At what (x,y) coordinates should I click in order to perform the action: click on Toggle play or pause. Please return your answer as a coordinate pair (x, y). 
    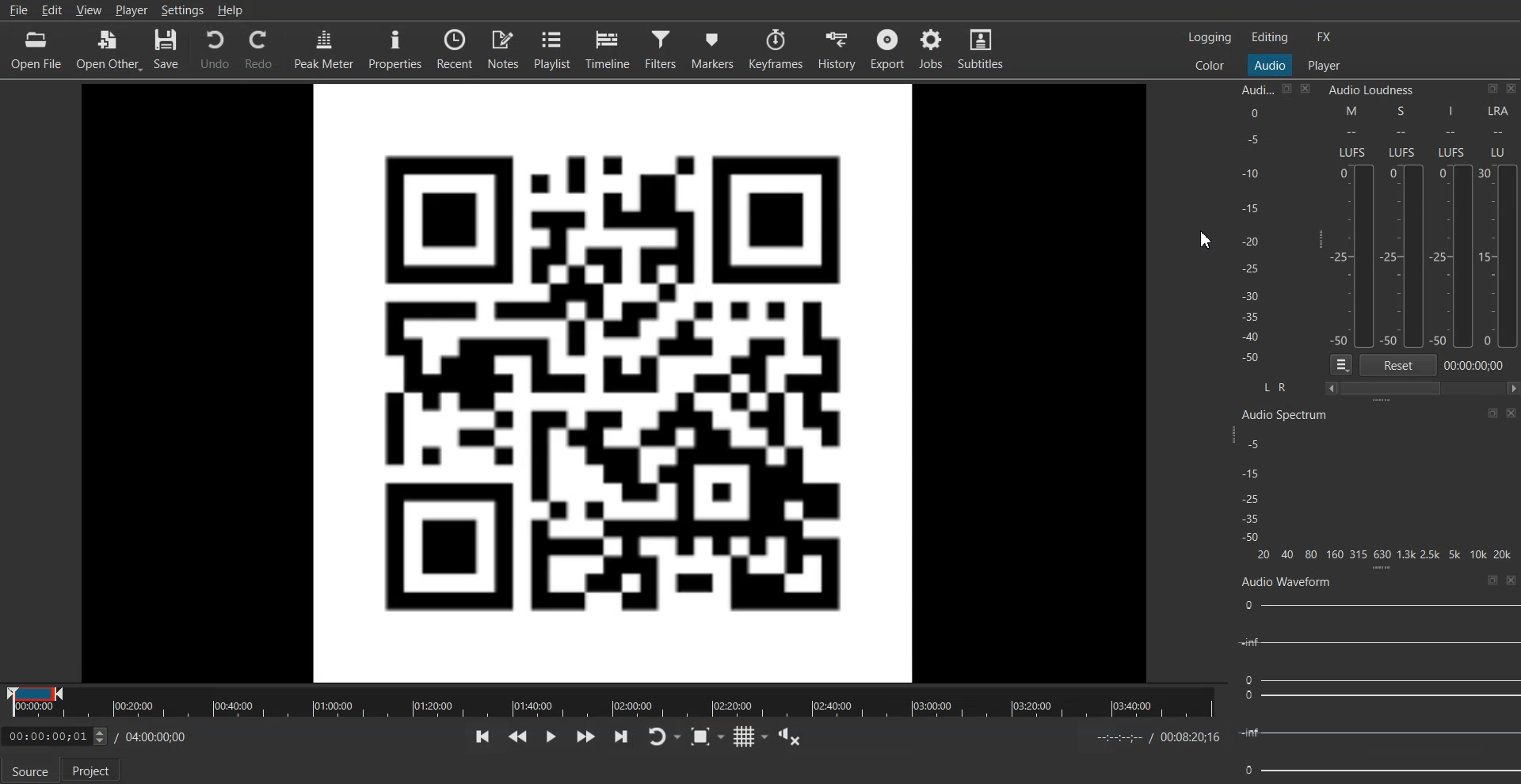
    Looking at the image, I should click on (551, 736).